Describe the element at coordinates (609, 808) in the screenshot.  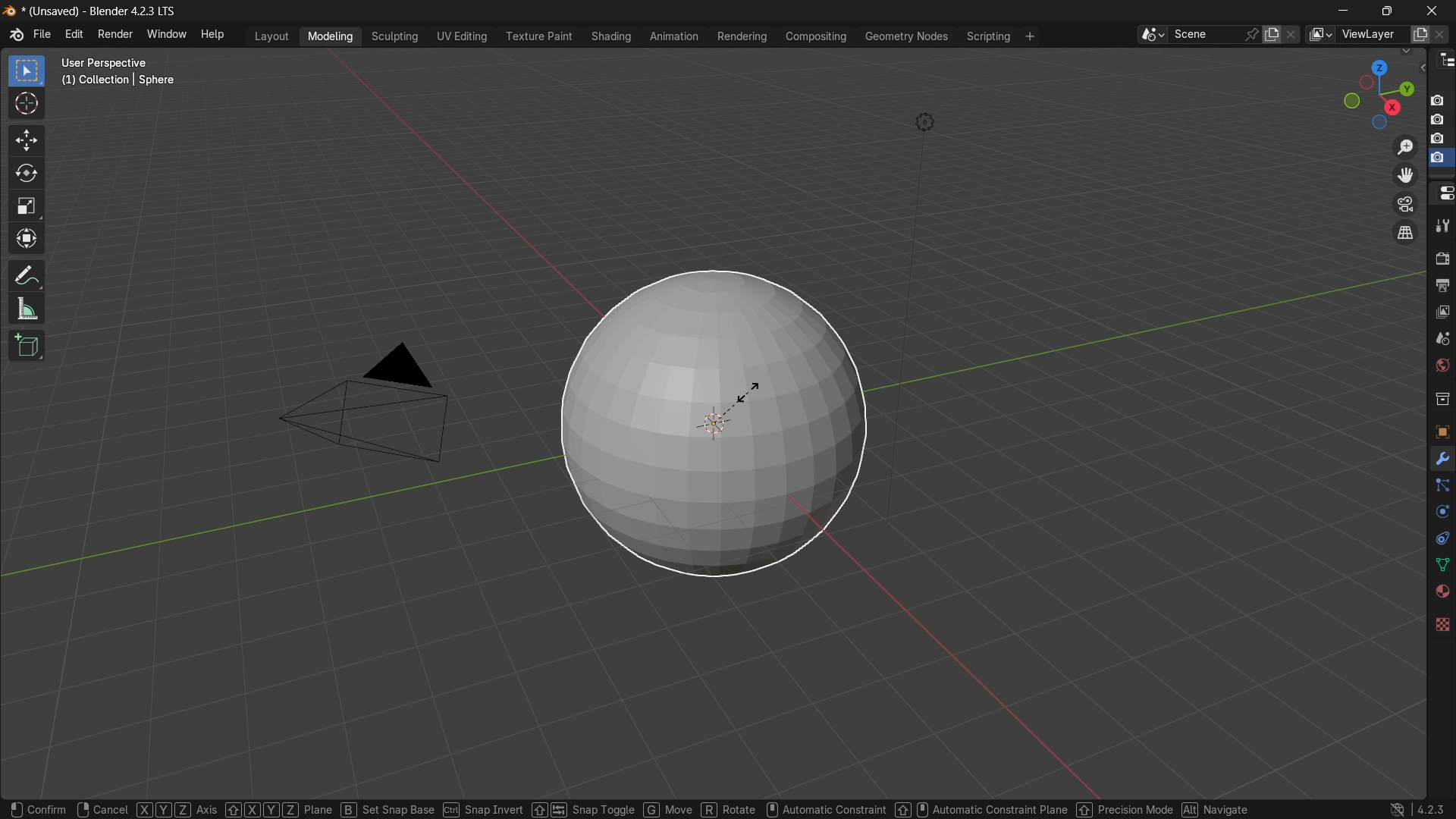
I see `snap toggle` at that location.